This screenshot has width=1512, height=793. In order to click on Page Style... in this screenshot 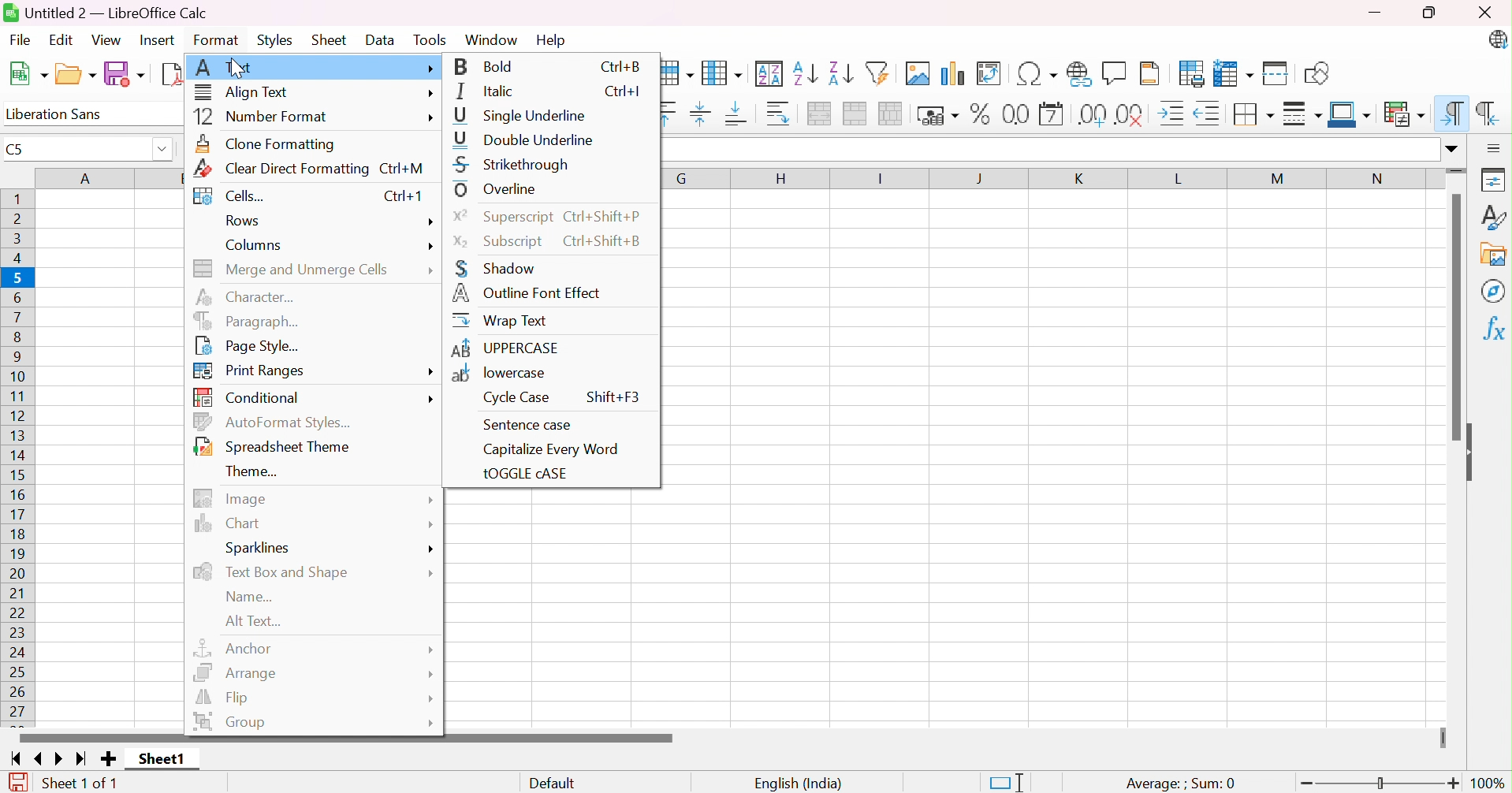, I will do `click(244, 345)`.